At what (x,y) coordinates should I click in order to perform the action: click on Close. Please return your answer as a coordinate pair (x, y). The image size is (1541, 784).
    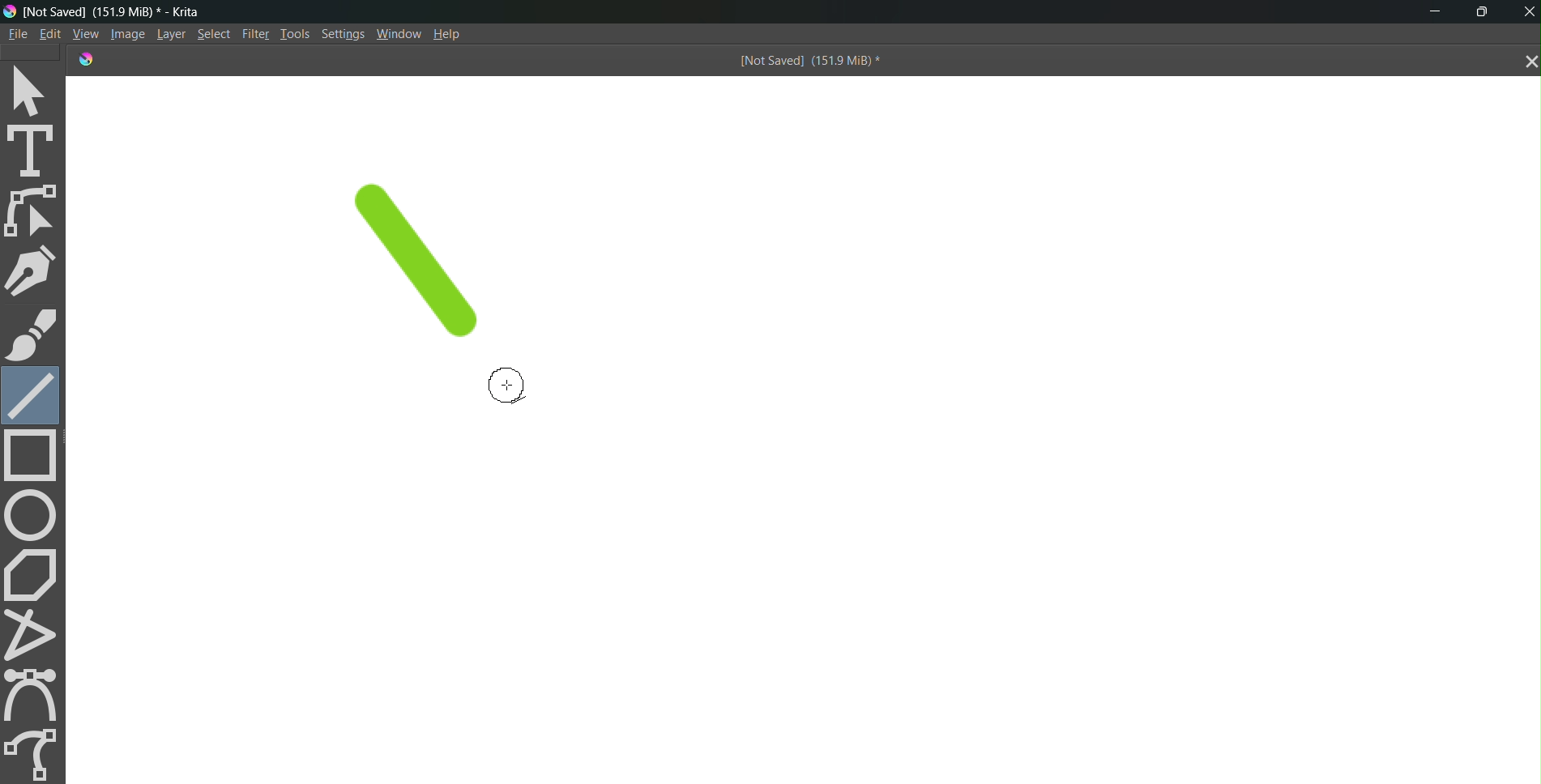
    Looking at the image, I should click on (1526, 11).